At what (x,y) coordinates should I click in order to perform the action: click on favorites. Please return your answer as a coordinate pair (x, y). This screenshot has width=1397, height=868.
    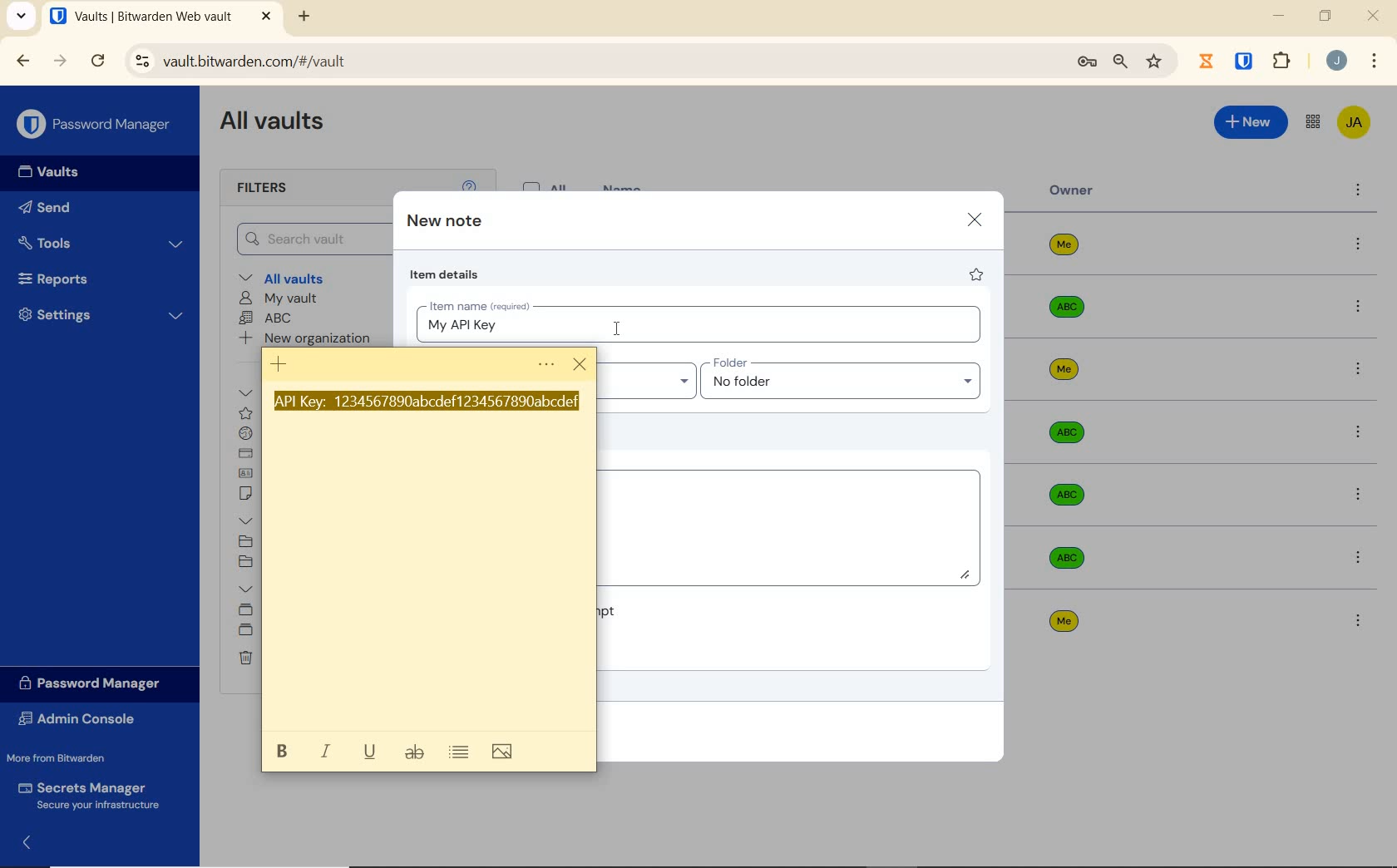
    Looking at the image, I should click on (244, 413).